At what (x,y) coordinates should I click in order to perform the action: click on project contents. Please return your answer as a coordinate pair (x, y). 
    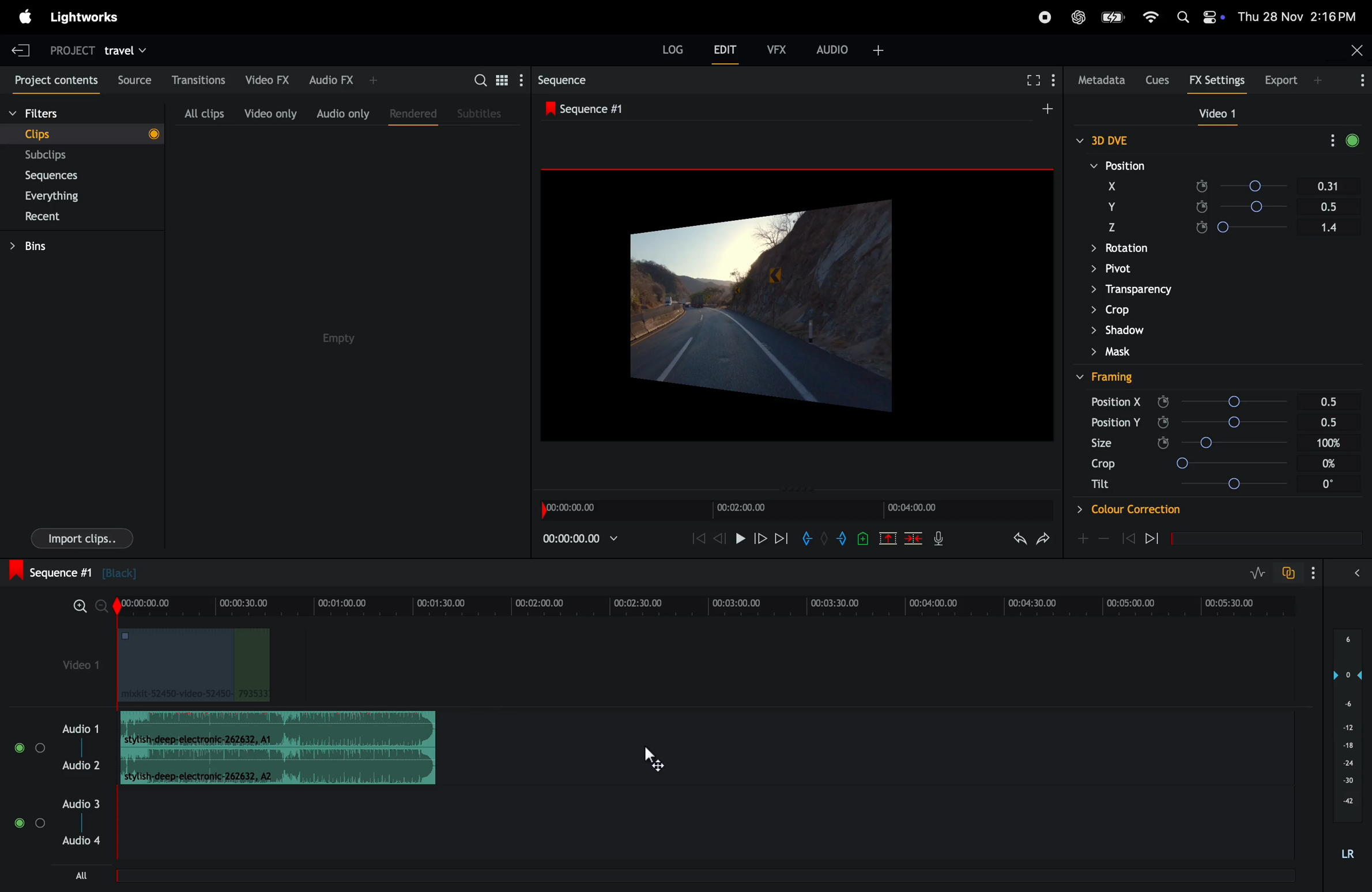
    Looking at the image, I should click on (54, 81).